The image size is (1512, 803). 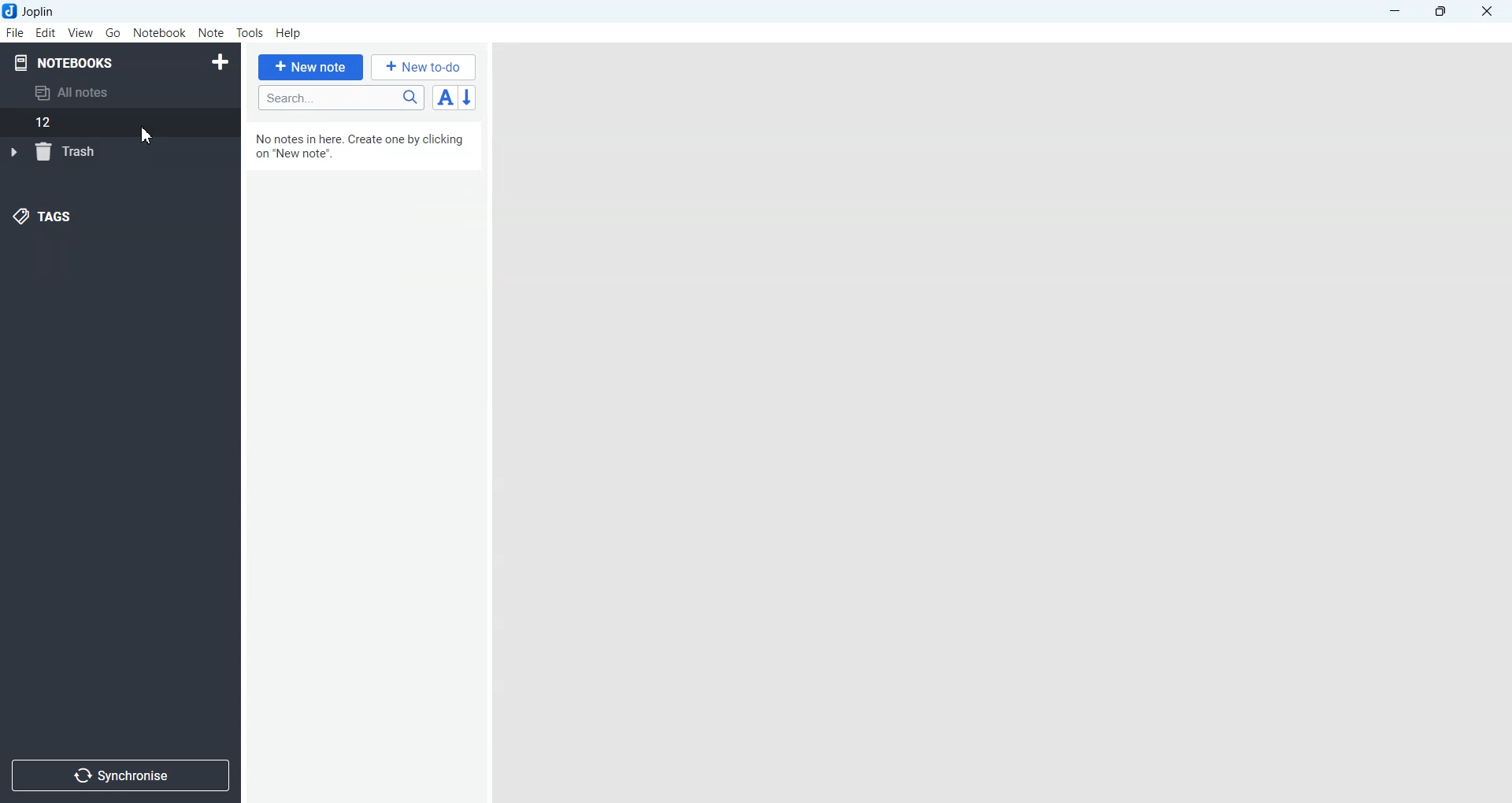 I want to click on Tags, so click(x=44, y=215).